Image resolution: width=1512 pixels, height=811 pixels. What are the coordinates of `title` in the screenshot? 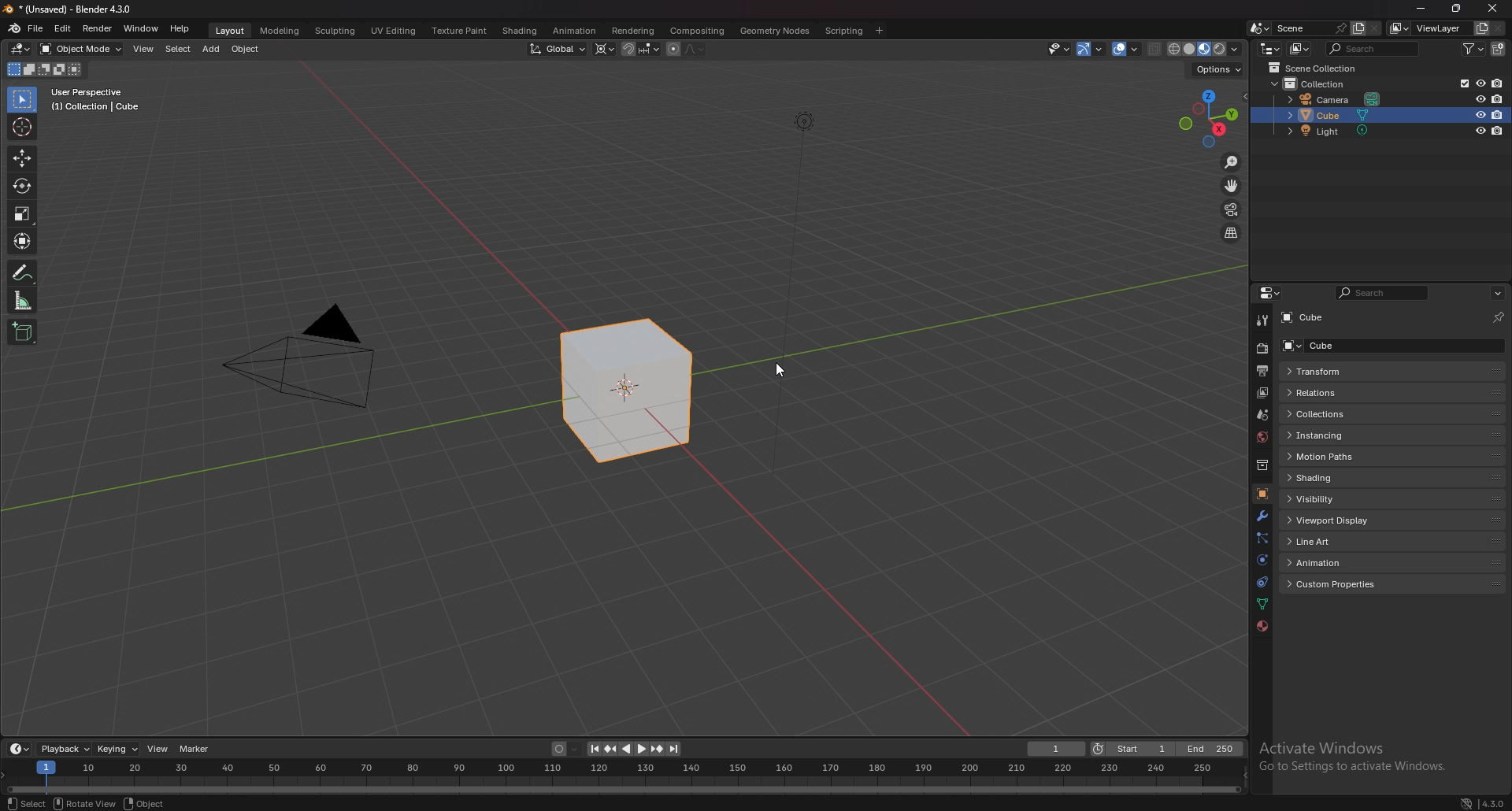 It's located at (71, 9).